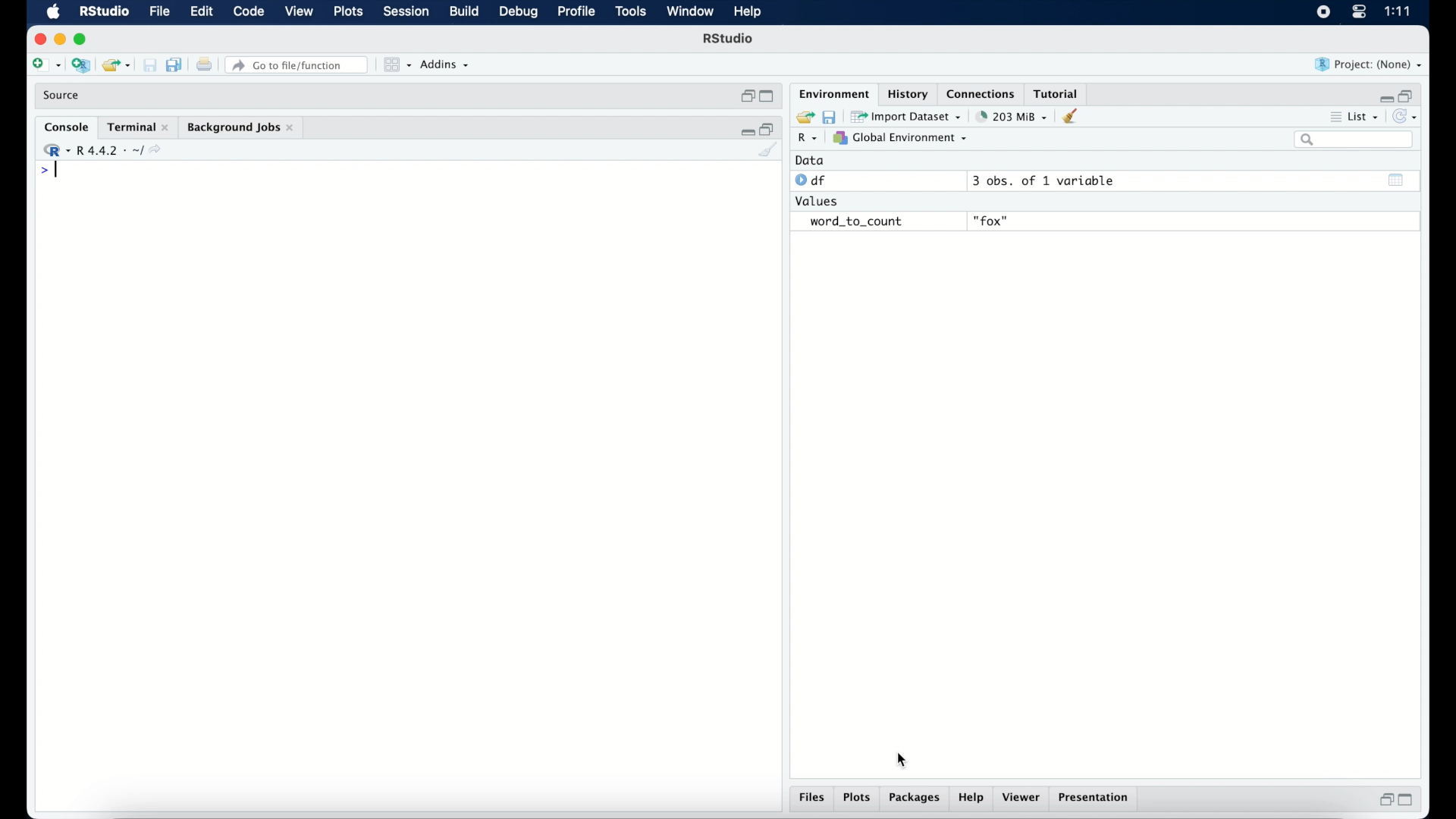 This screenshot has height=819, width=1456. I want to click on presentation, so click(1096, 799).